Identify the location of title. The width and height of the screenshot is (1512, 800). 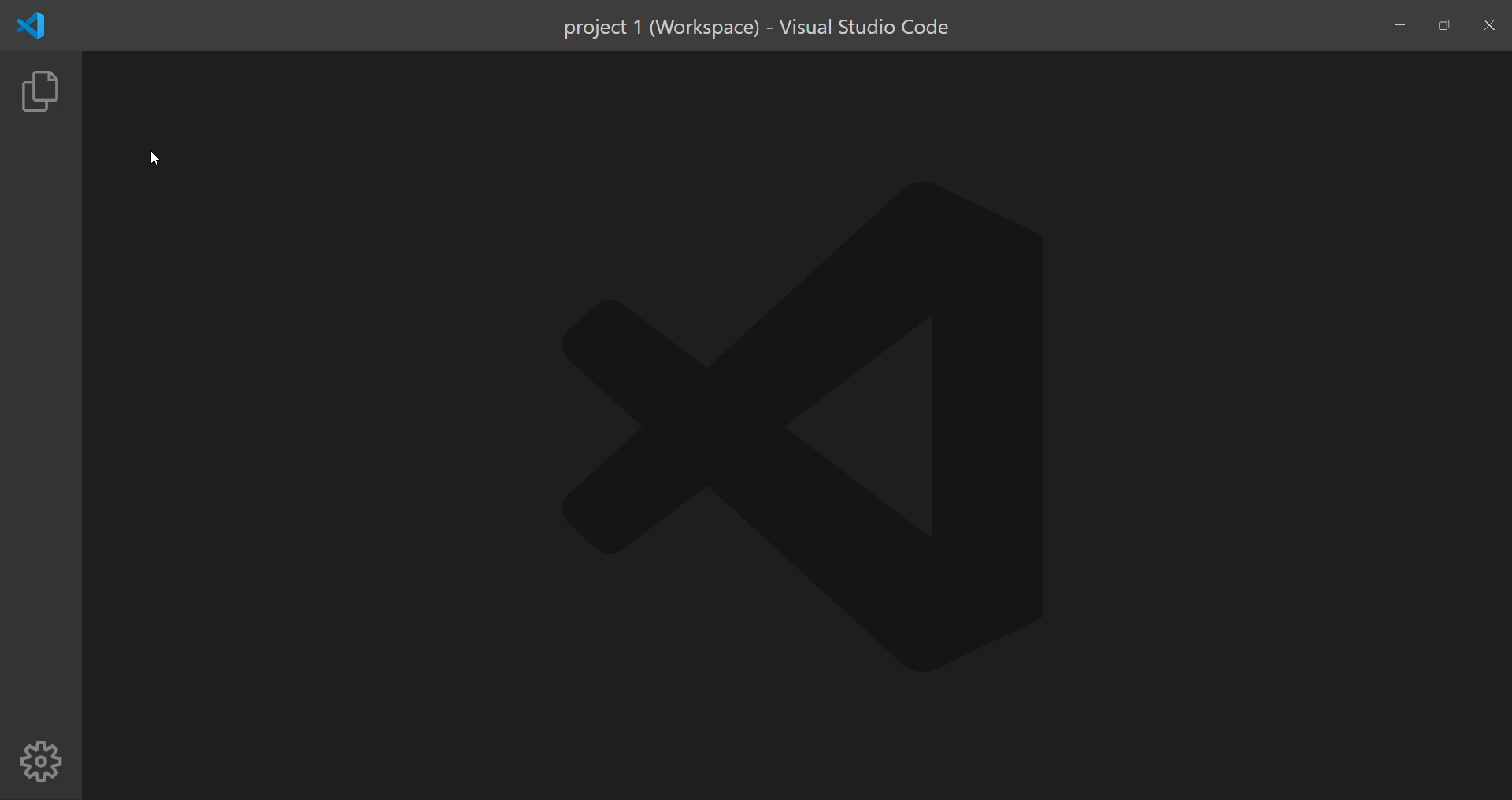
(758, 28).